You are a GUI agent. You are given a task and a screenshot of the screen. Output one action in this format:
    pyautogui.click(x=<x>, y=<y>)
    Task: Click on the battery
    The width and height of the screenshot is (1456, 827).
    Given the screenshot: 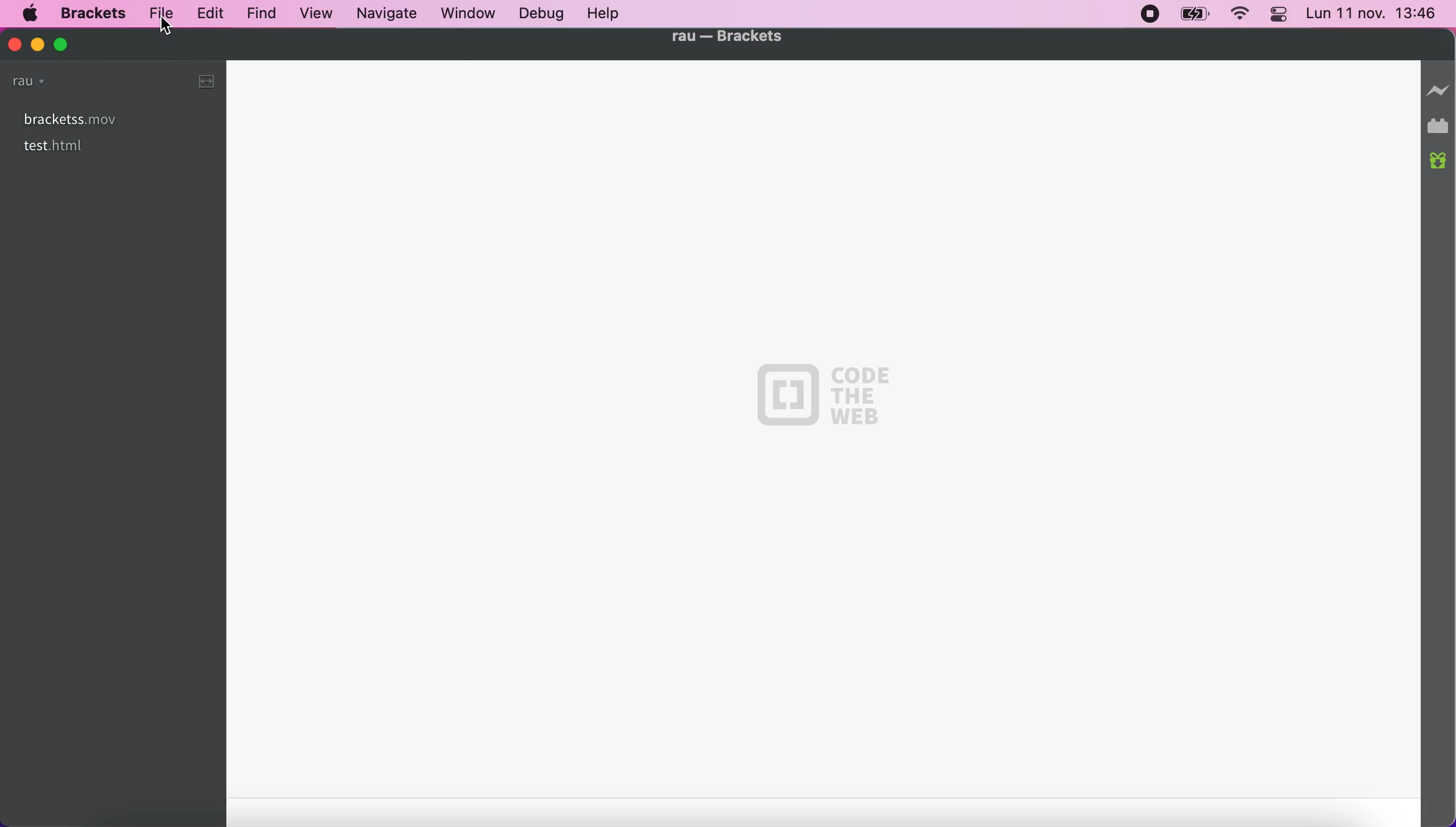 What is the action you would take?
    pyautogui.click(x=1195, y=16)
    